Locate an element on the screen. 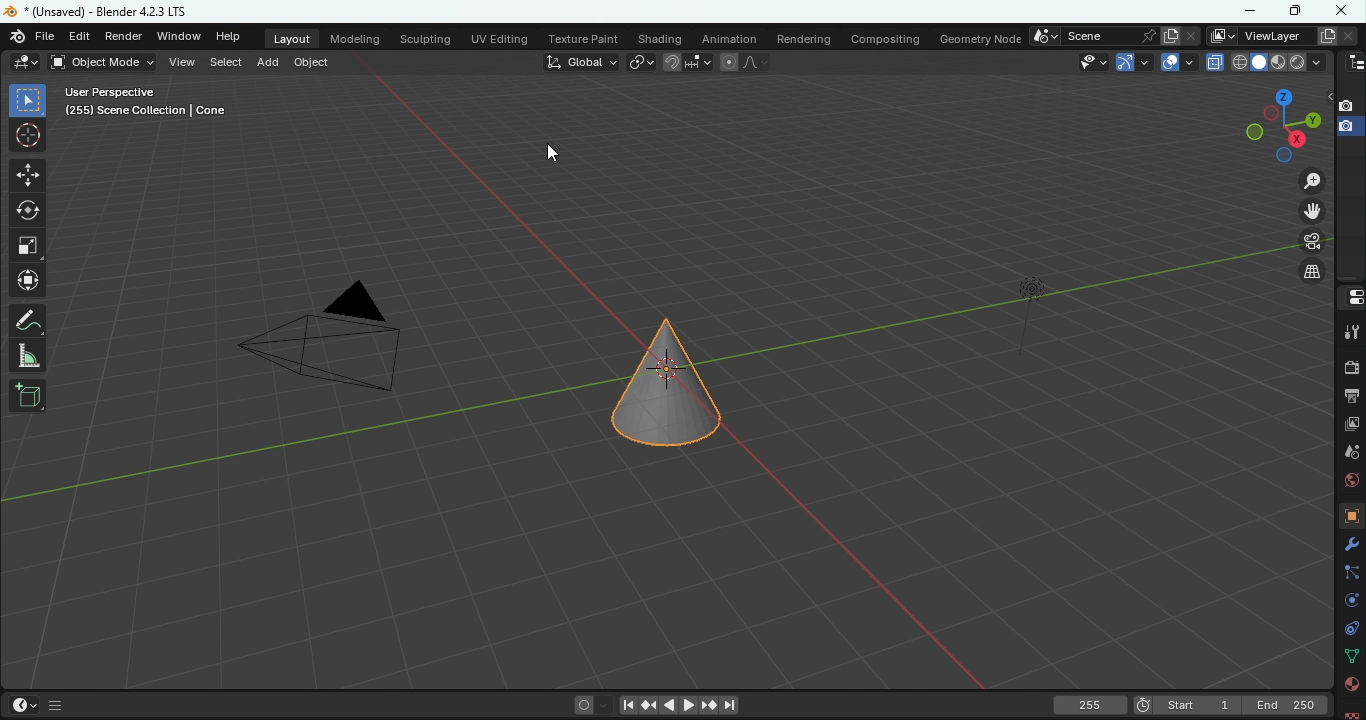  Editor type is located at coordinates (1352, 62).